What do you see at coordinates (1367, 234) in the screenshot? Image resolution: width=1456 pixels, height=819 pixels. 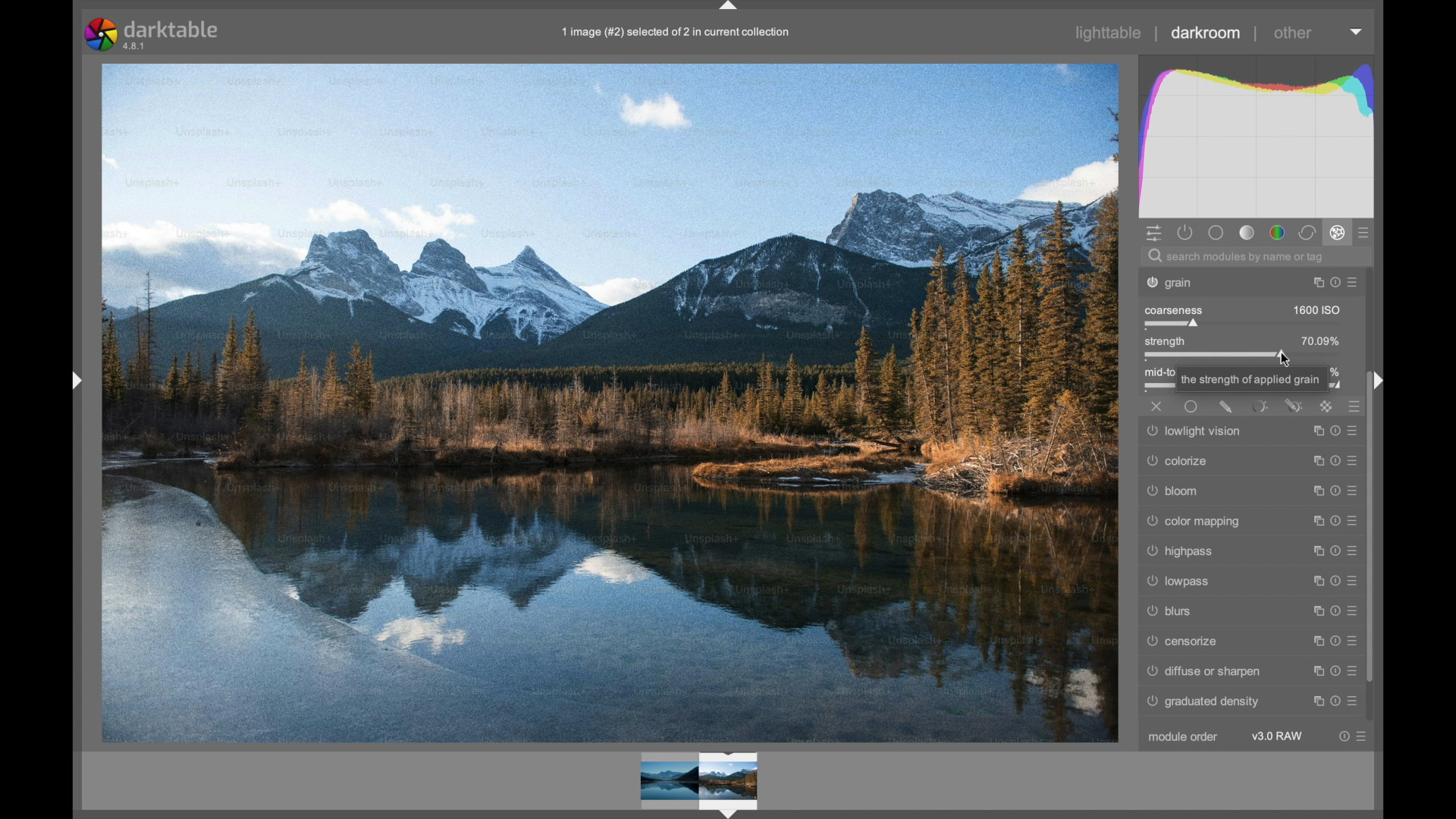 I see `presets` at bounding box center [1367, 234].